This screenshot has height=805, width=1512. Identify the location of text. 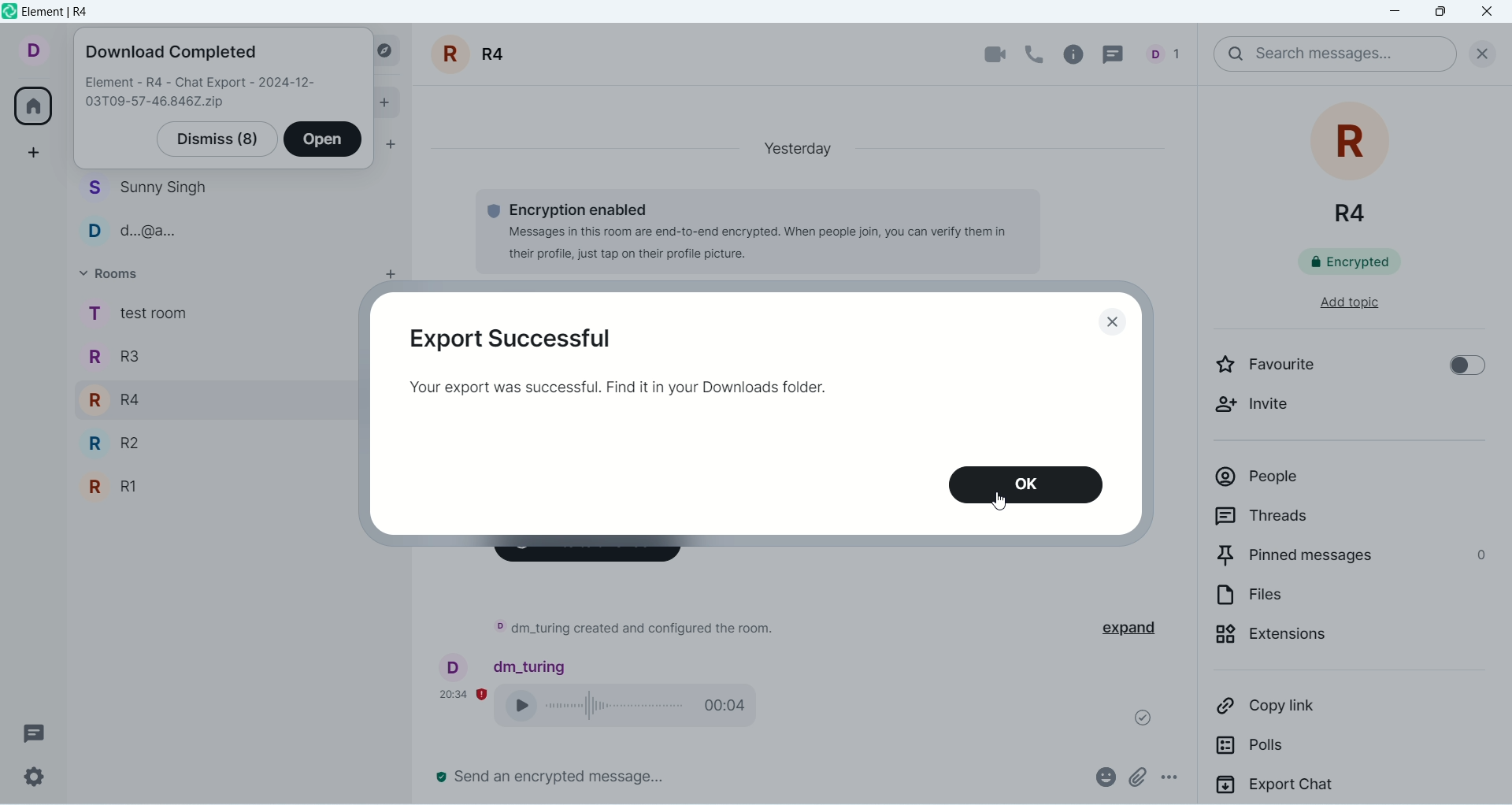
(740, 230).